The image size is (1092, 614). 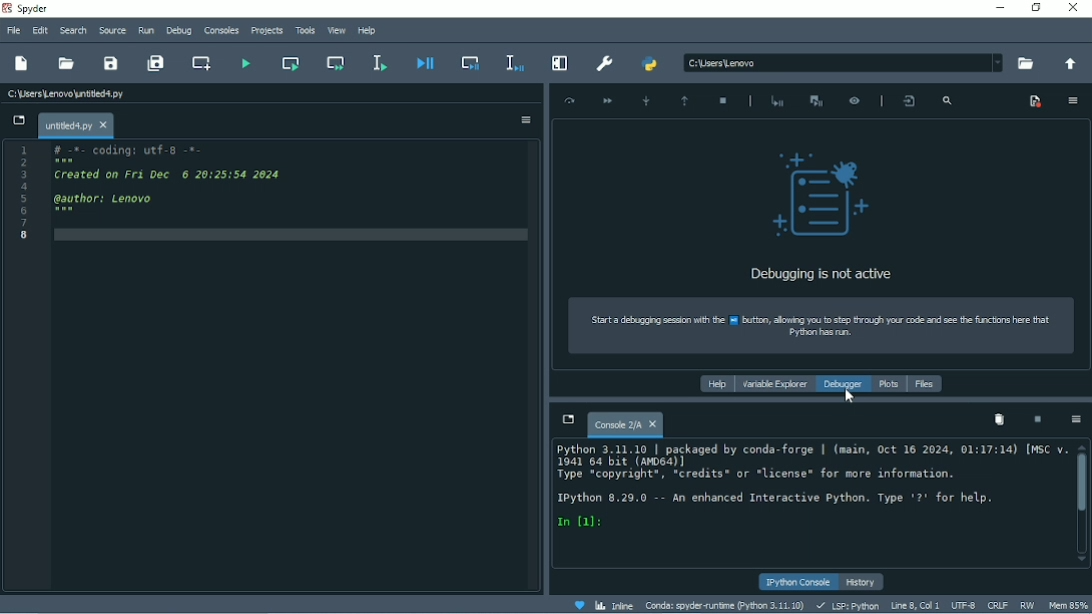 I want to click on Edit, so click(x=39, y=29).